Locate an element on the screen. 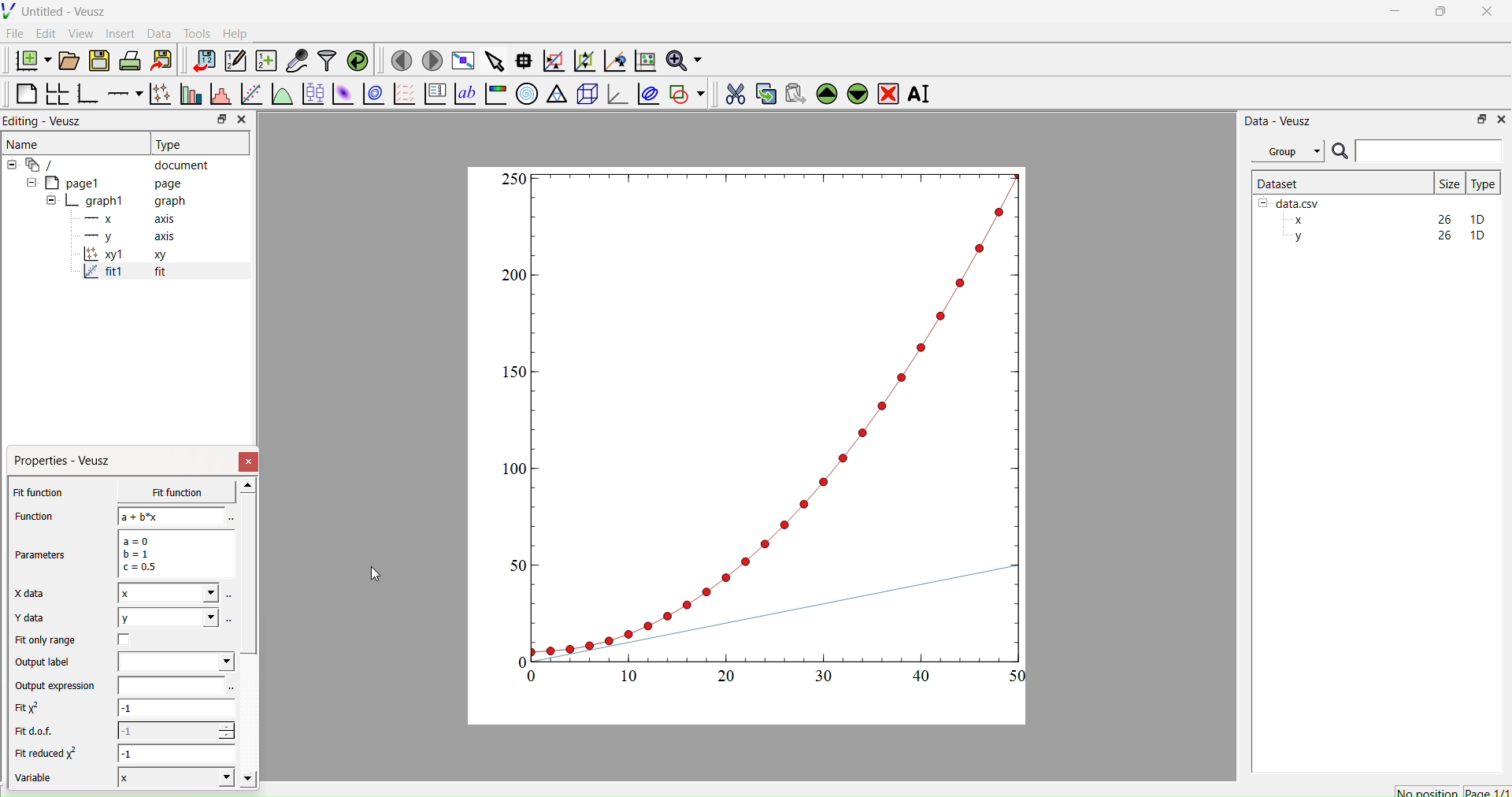  y is located at coordinates (167, 617).